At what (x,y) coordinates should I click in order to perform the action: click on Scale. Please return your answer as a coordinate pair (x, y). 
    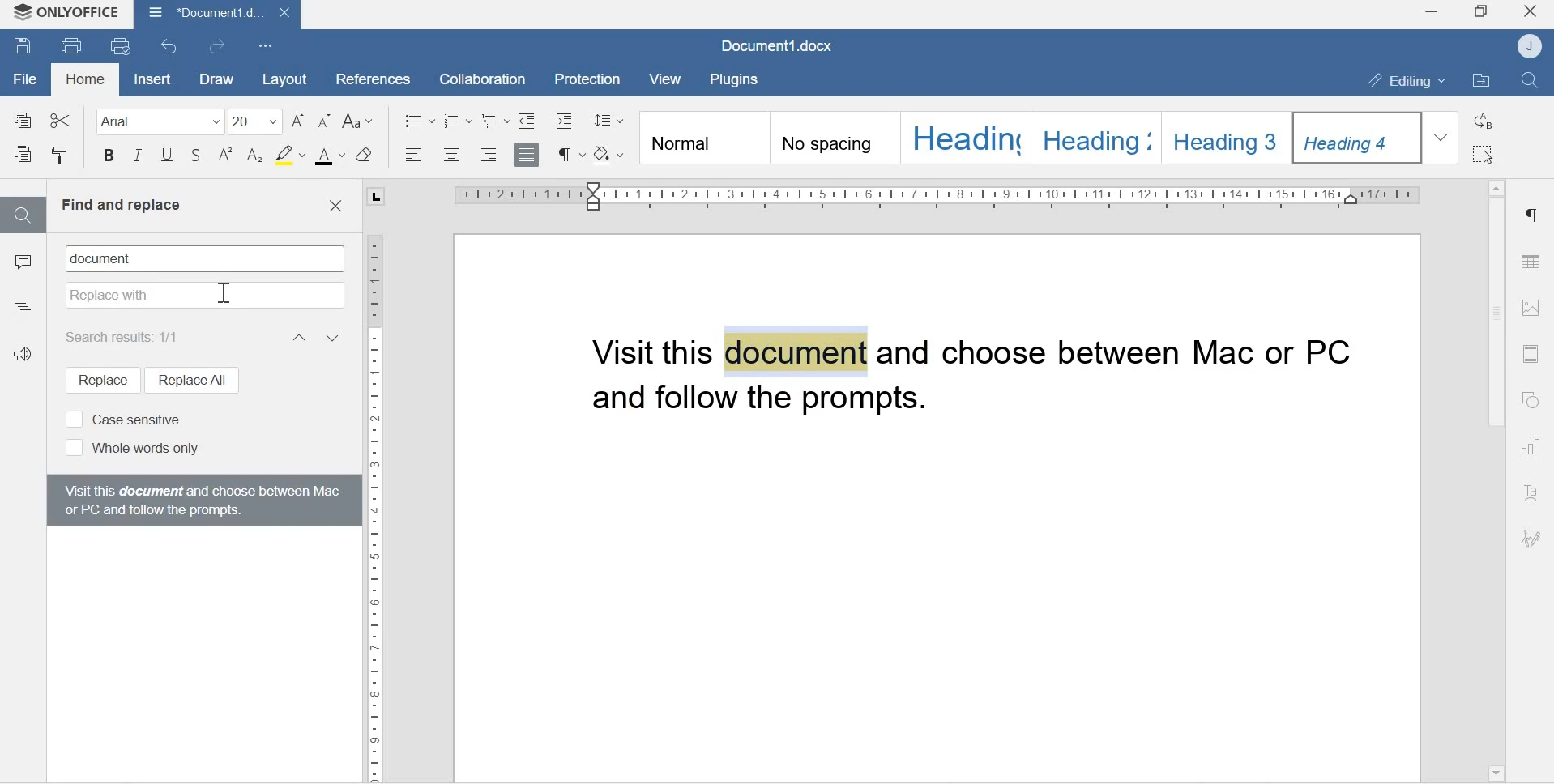
    Looking at the image, I should click on (375, 496).